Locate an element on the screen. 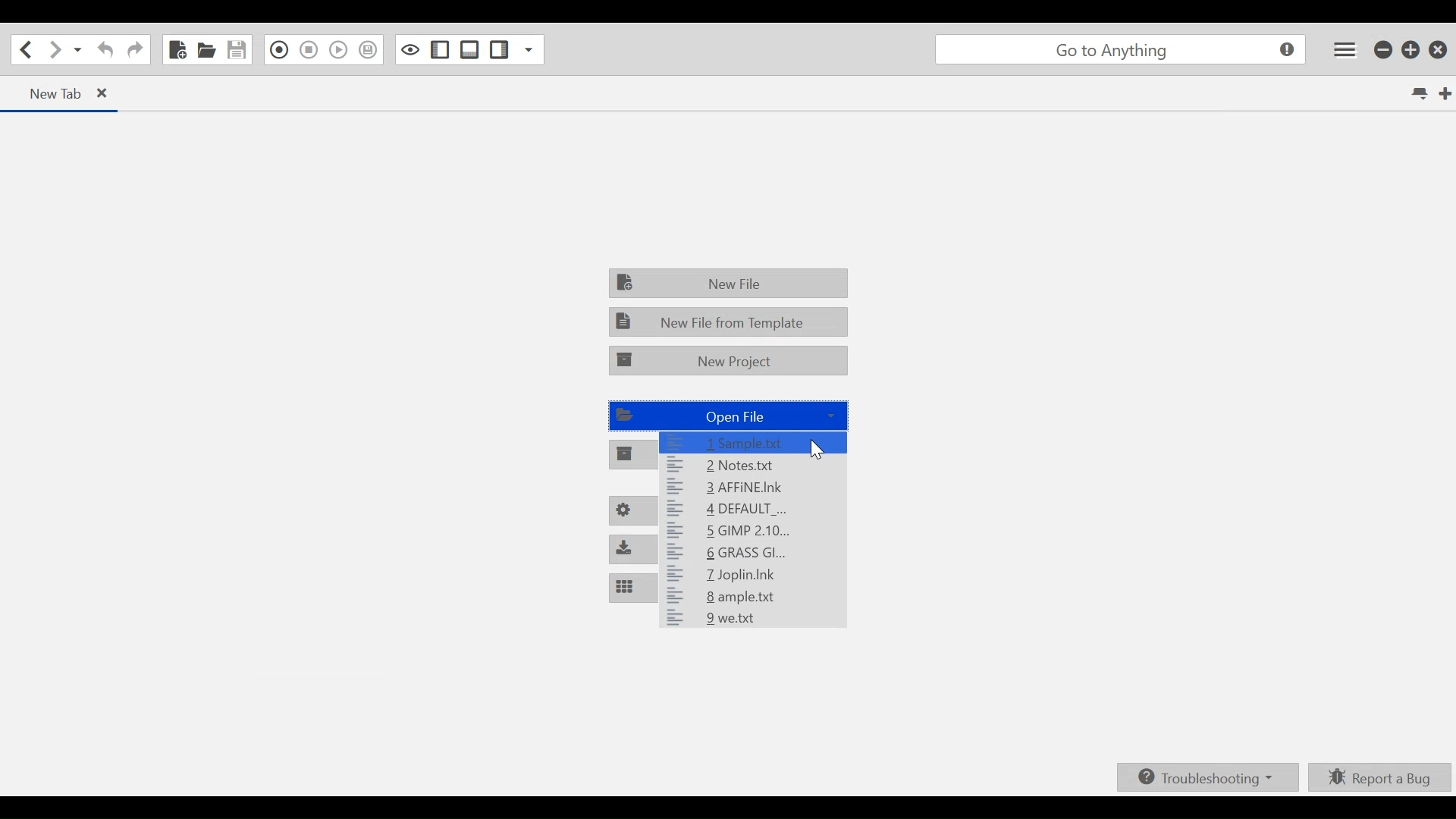 The image size is (1456, 819). Troubleshooting is located at coordinates (1209, 777).